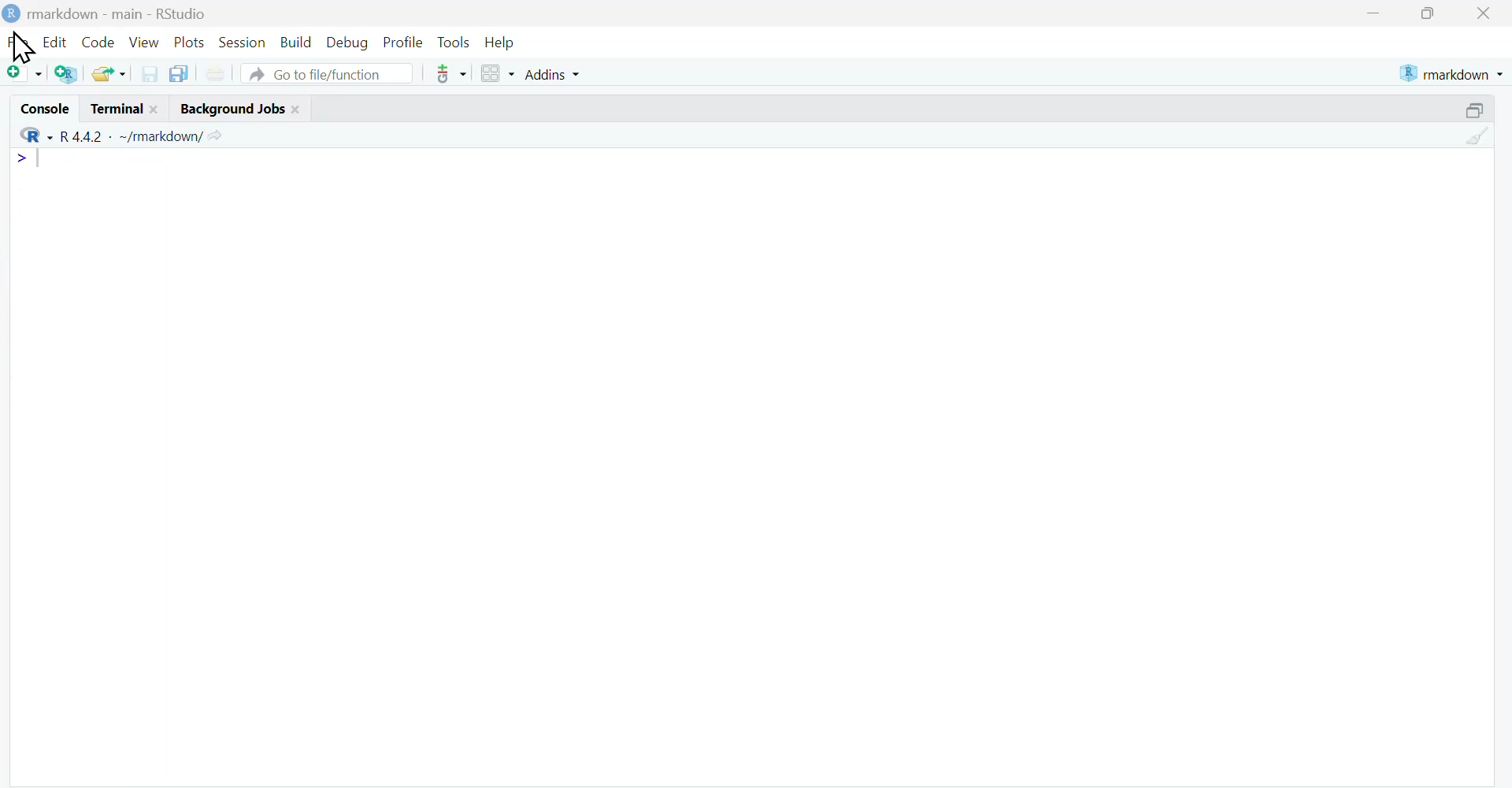 The height and width of the screenshot is (788, 1512). What do you see at coordinates (54, 43) in the screenshot?
I see `Edit` at bounding box center [54, 43].